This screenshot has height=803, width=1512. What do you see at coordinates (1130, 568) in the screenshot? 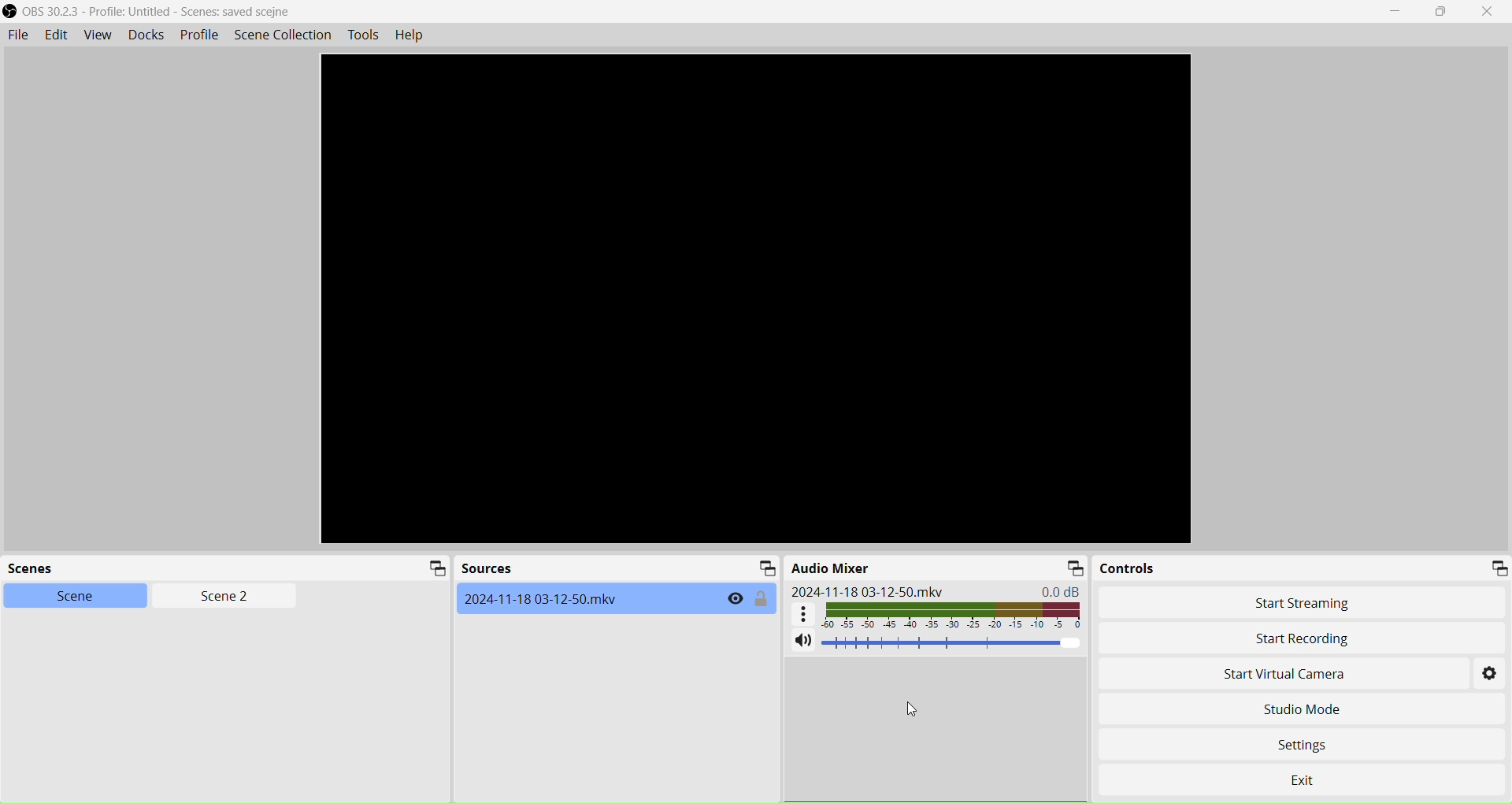
I see `Controls` at bounding box center [1130, 568].